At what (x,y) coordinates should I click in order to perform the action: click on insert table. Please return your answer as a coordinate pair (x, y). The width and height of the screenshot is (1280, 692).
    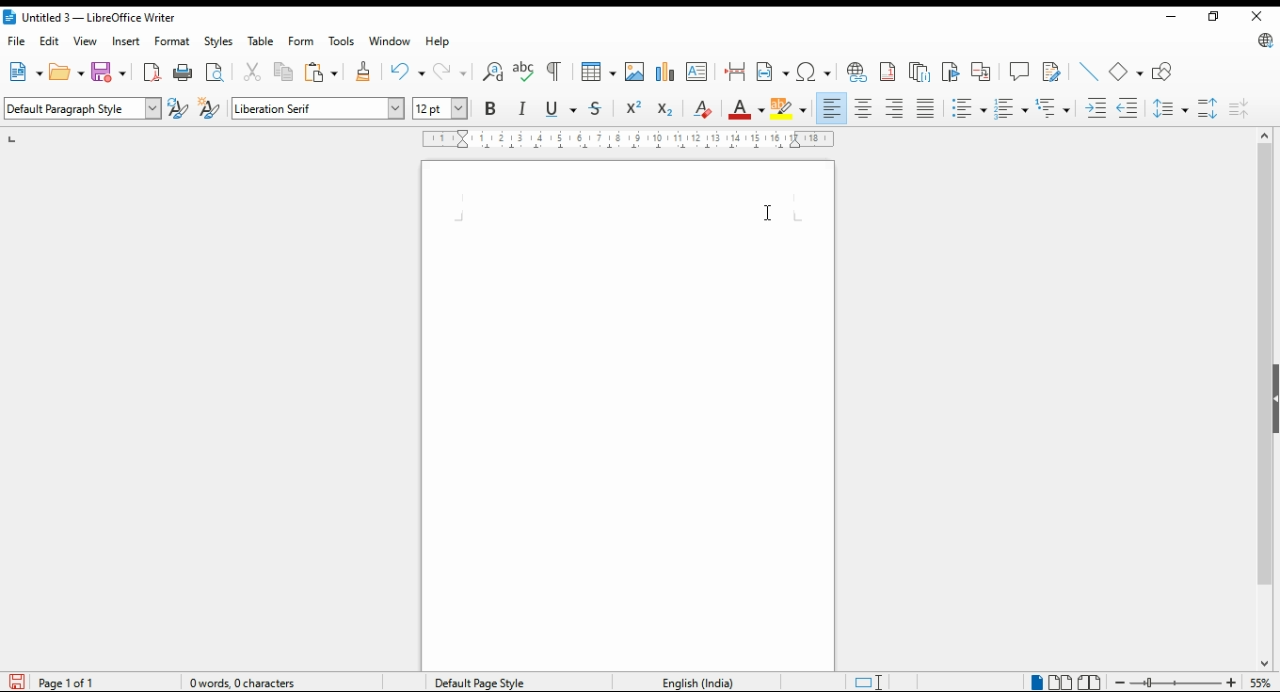
    Looking at the image, I should click on (599, 71).